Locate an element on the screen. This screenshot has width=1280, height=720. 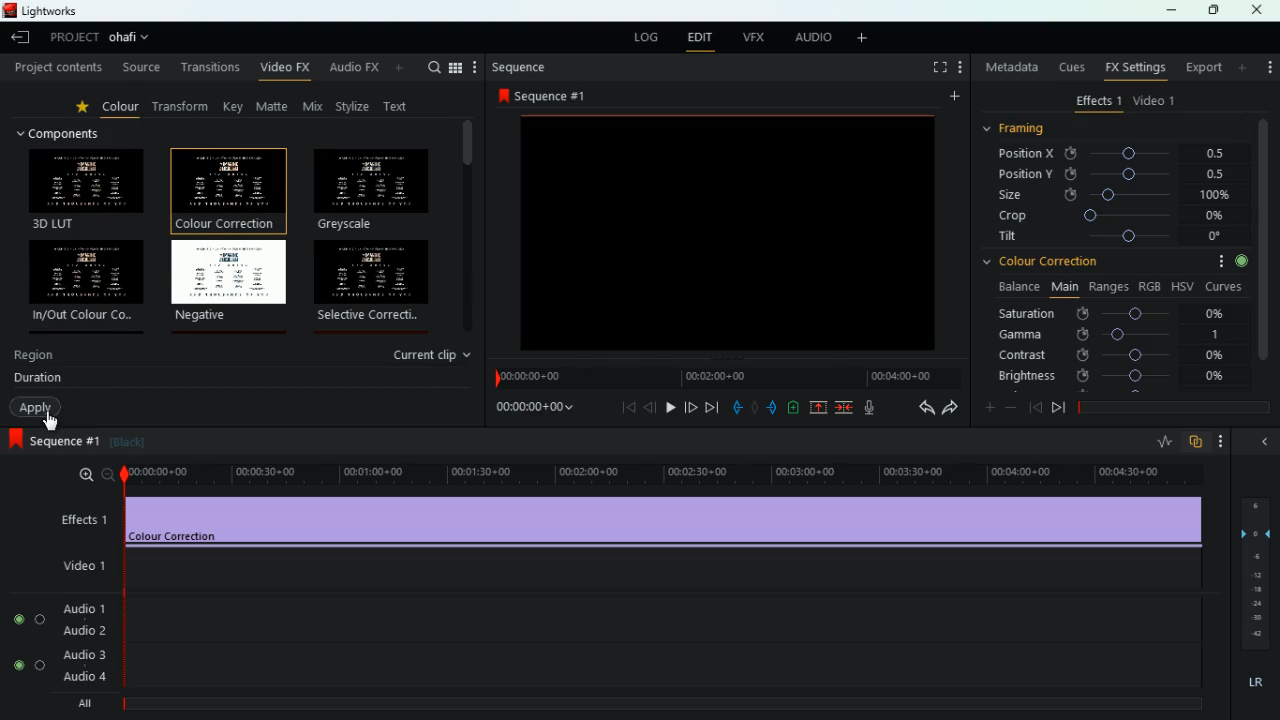
sequence is located at coordinates (520, 68).